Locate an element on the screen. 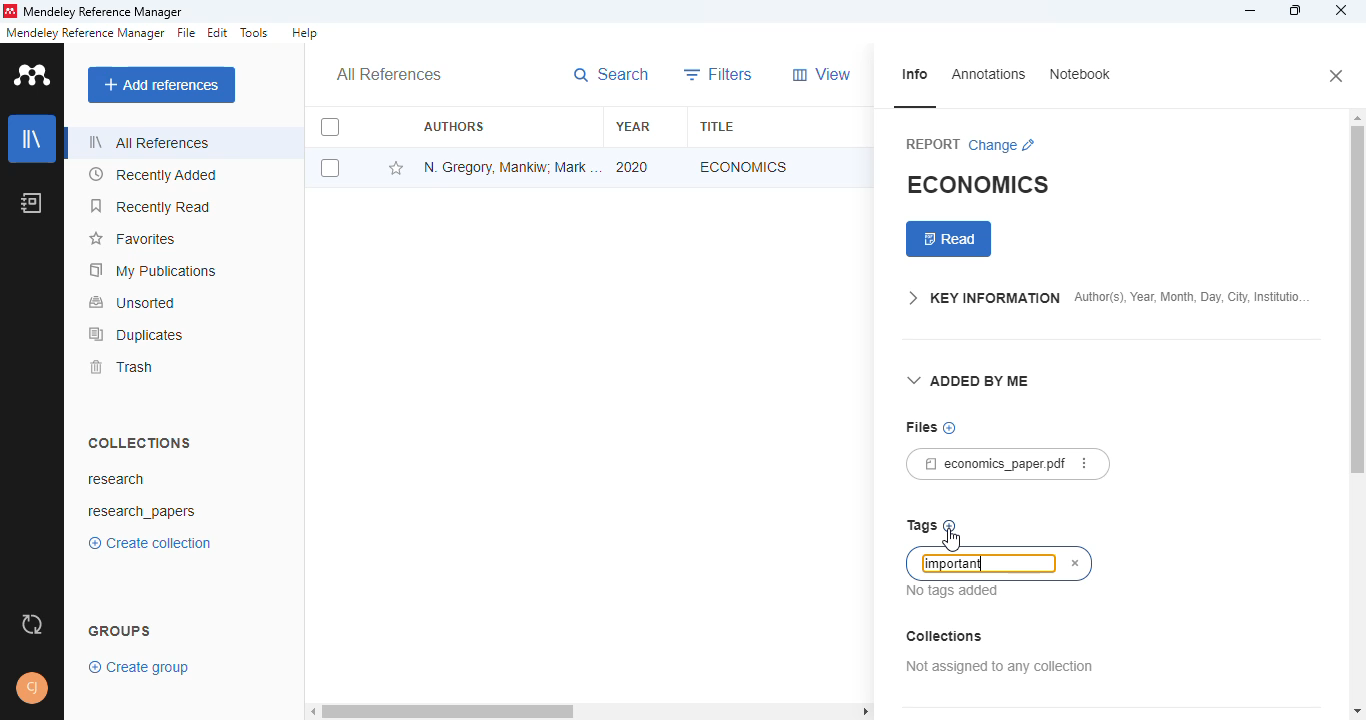 This screenshot has width=1366, height=720. report is located at coordinates (933, 145).